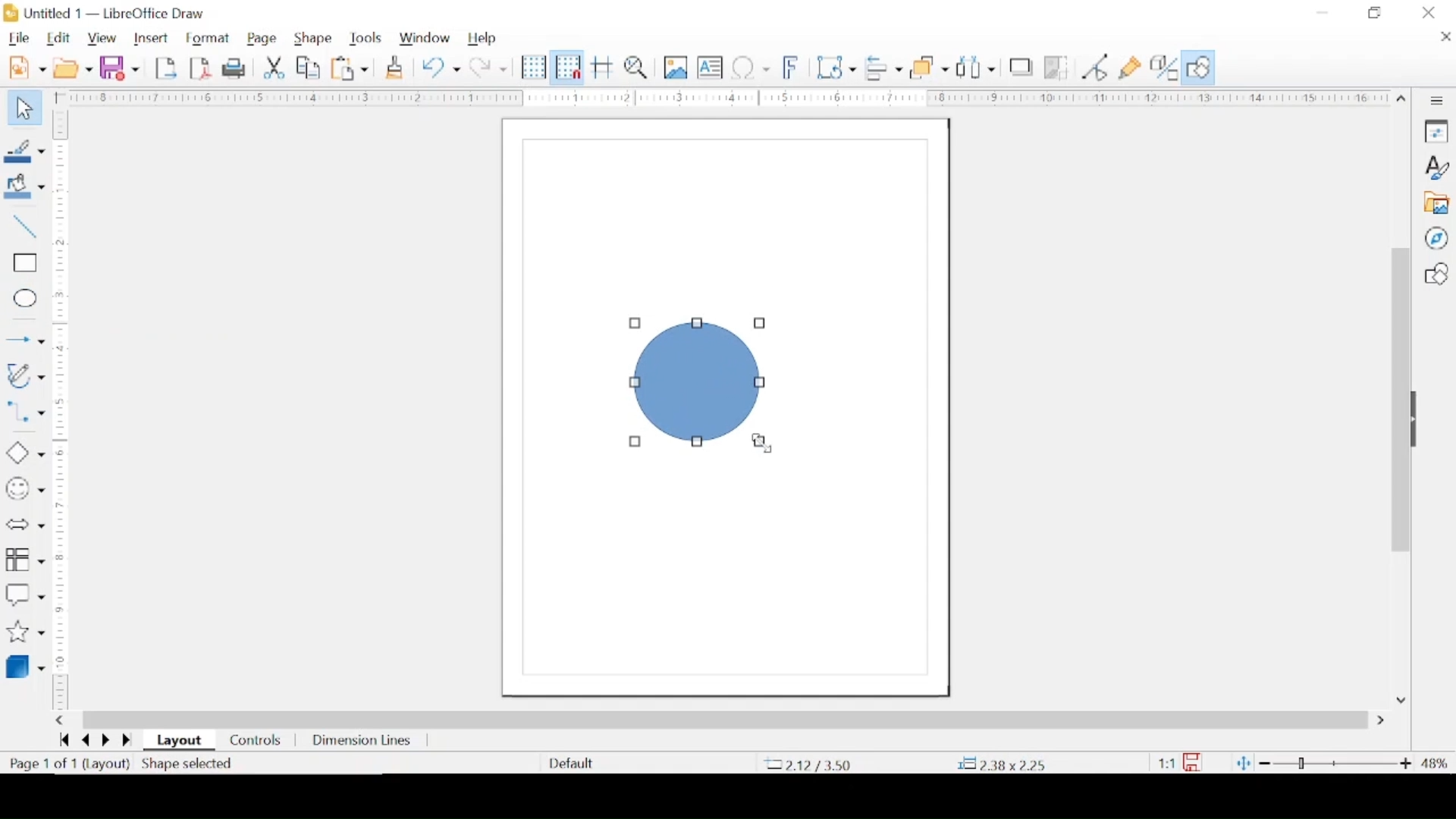 This screenshot has height=819, width=1456. What do you see at coordinates (762, 444) in the screenshot?
I see `cursor` at bounding box center [762, 444].